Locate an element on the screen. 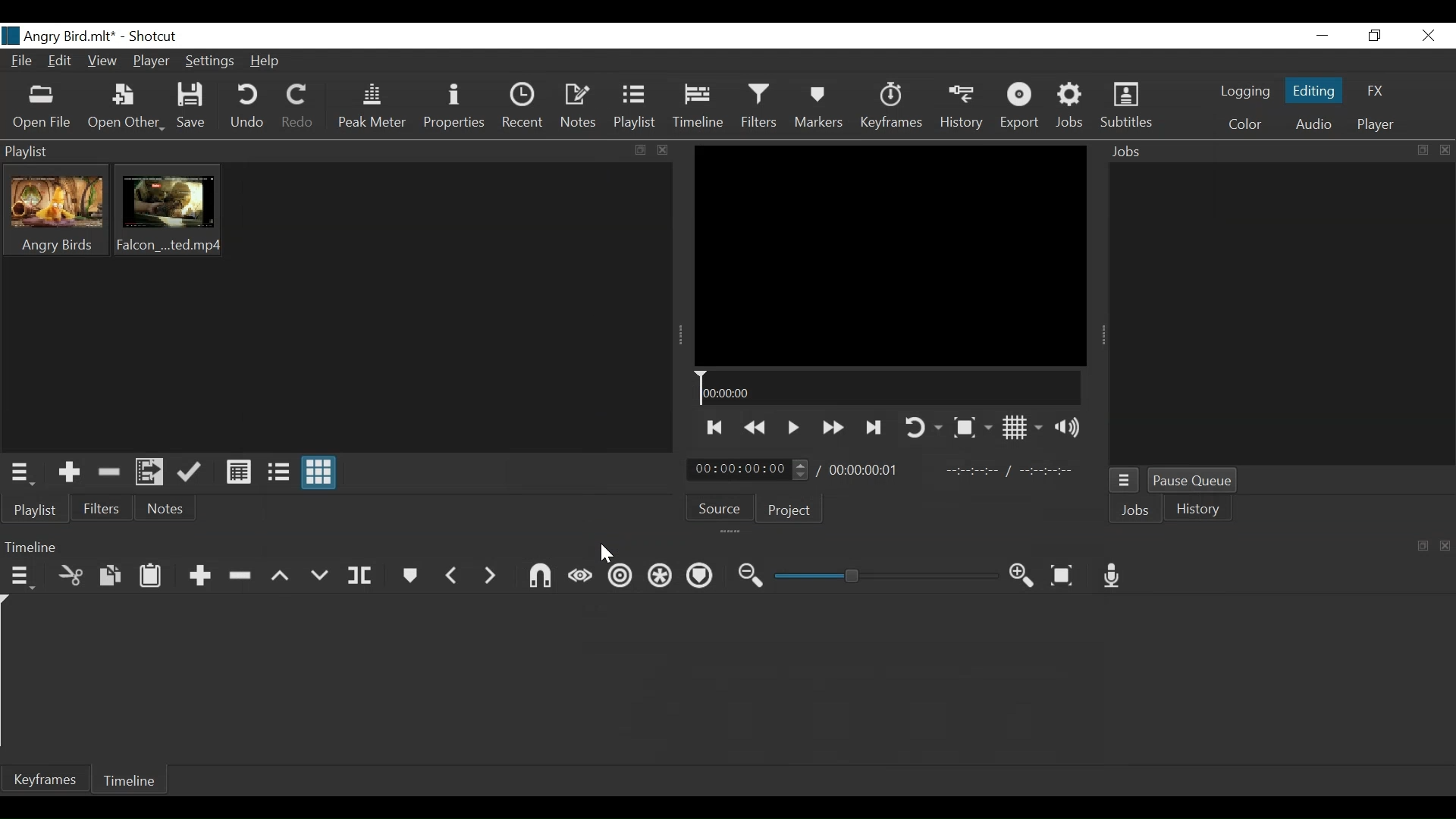 Image resolution: width=1456 pixels, height=819 pixels. Save is located at coordinates (195, 106).